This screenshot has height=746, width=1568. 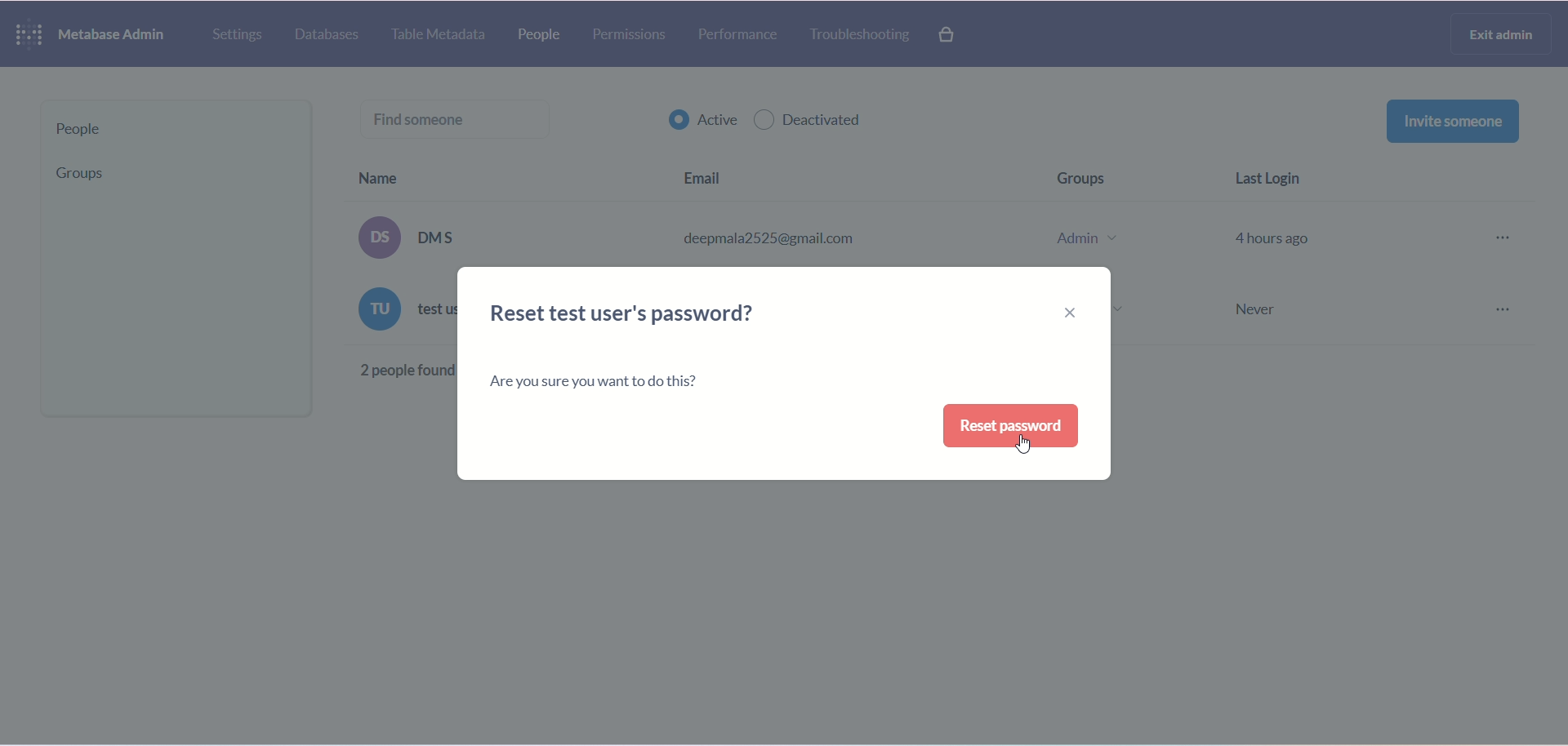 What do you see at coordinates (330, 34) in the screenshot?
I see `database` at bounding box center [330, 34].